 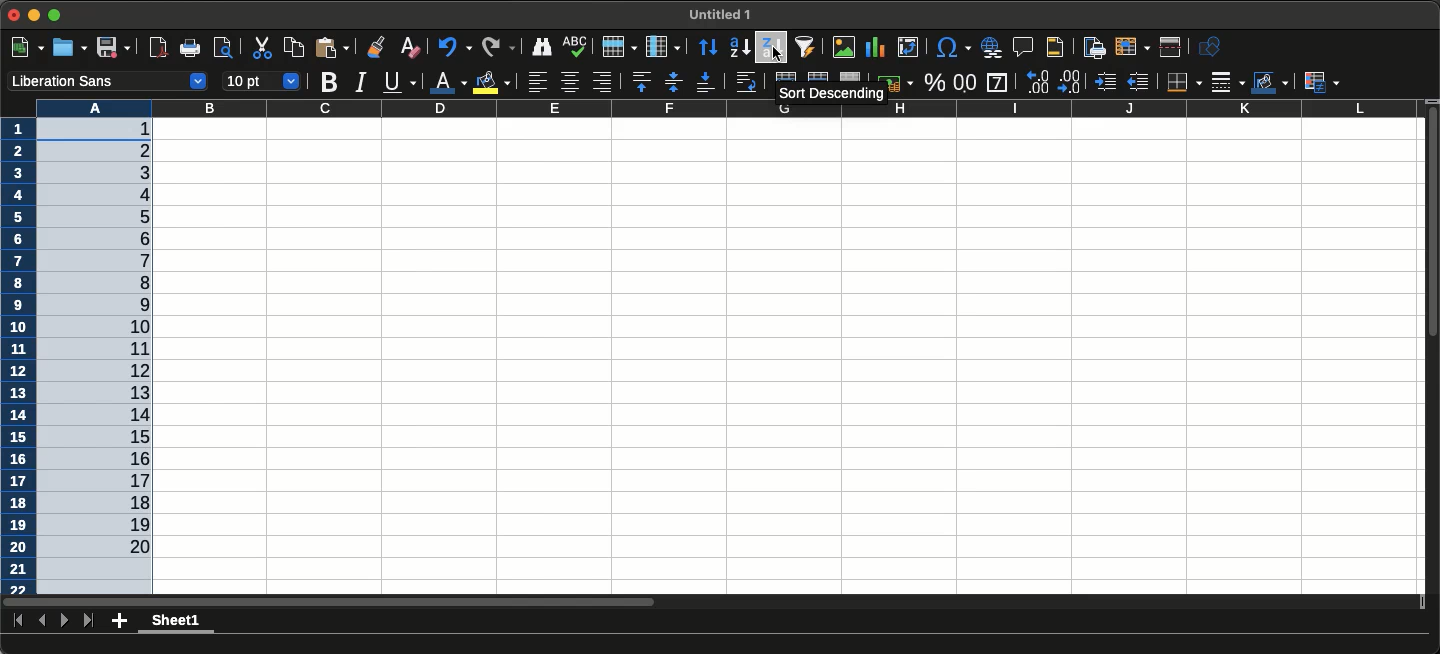 What do you see at coordinates (1071, 82) in the screenshot?
I see `Add decimal place` at bounding box center [1071, 82].